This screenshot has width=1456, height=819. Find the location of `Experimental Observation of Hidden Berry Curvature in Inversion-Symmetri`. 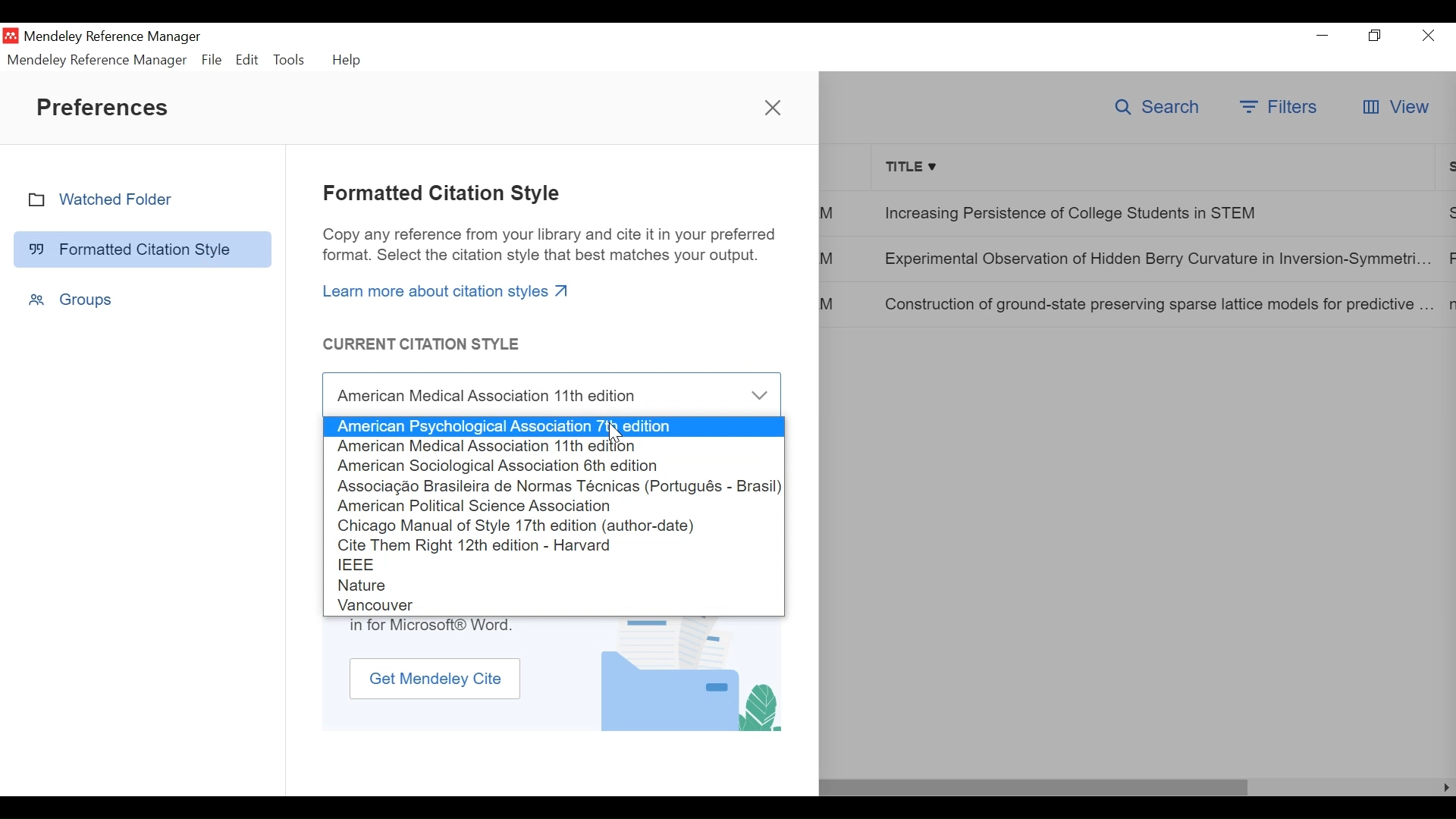

Experimental Observation of Hidden Berry Curvature in Inversion-Symmetri is located at coordinates (1155, 260).